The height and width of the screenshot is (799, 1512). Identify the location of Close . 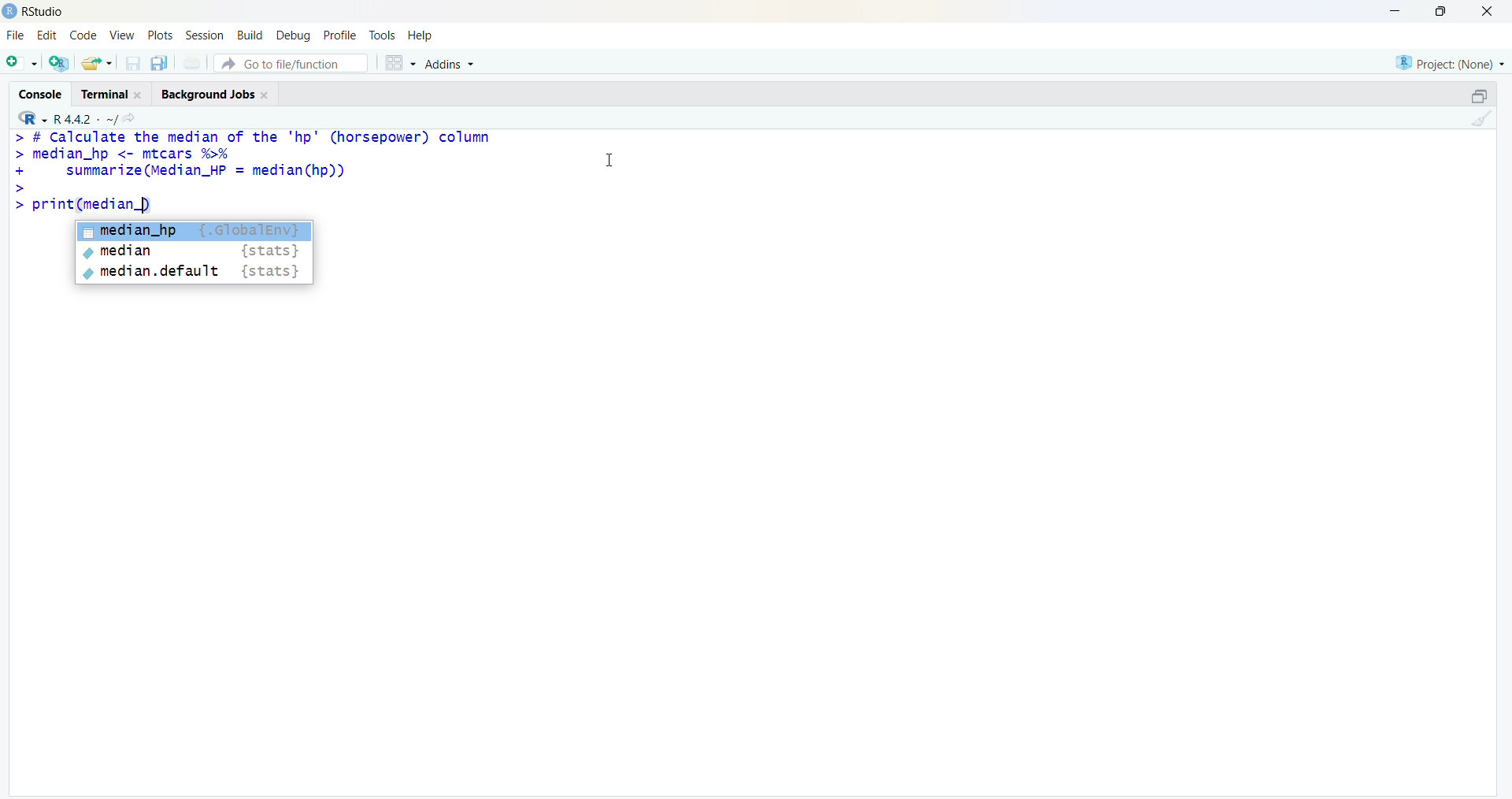
(266, 95).